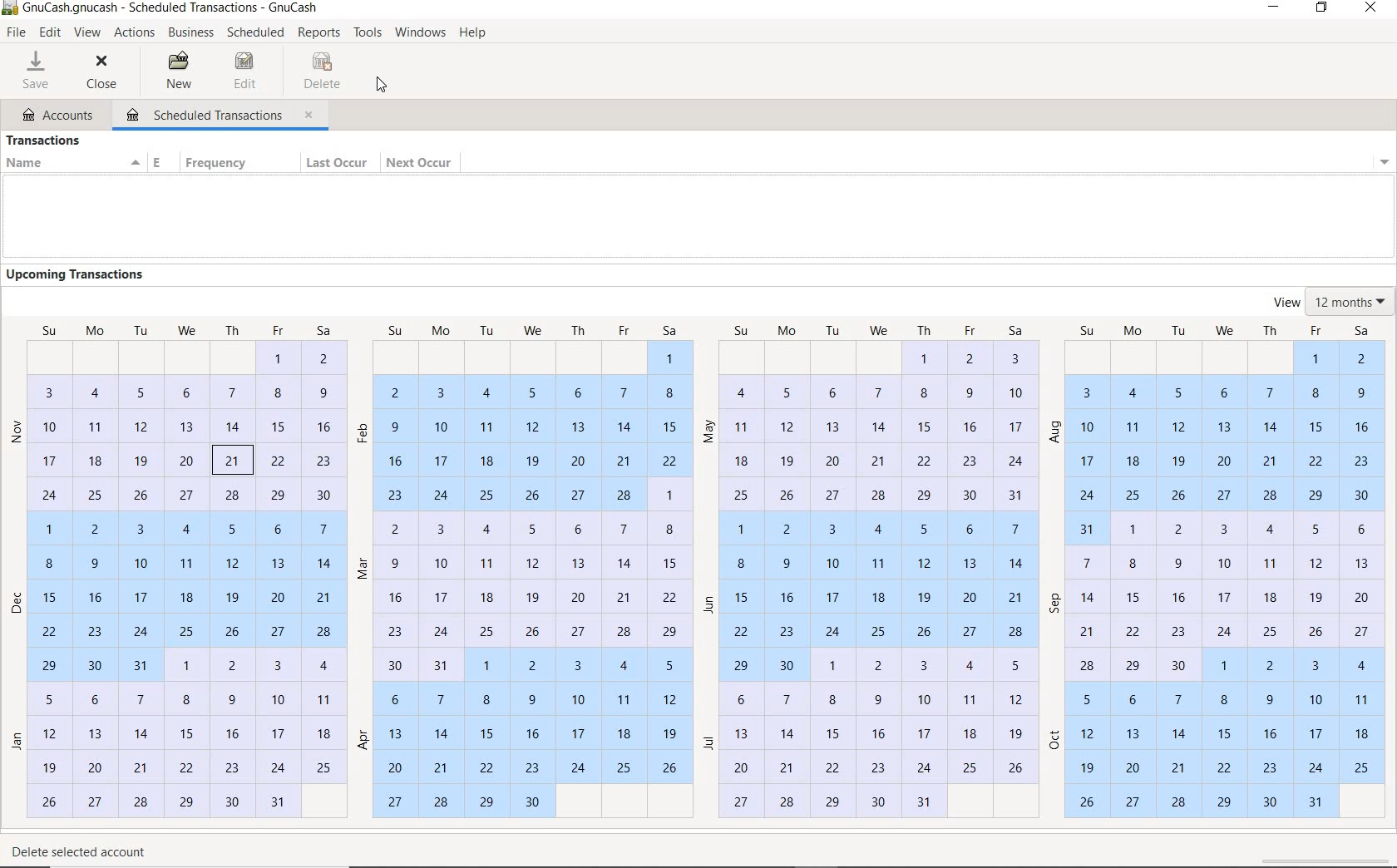  I want to click on Scheduled , so click(256, 33).